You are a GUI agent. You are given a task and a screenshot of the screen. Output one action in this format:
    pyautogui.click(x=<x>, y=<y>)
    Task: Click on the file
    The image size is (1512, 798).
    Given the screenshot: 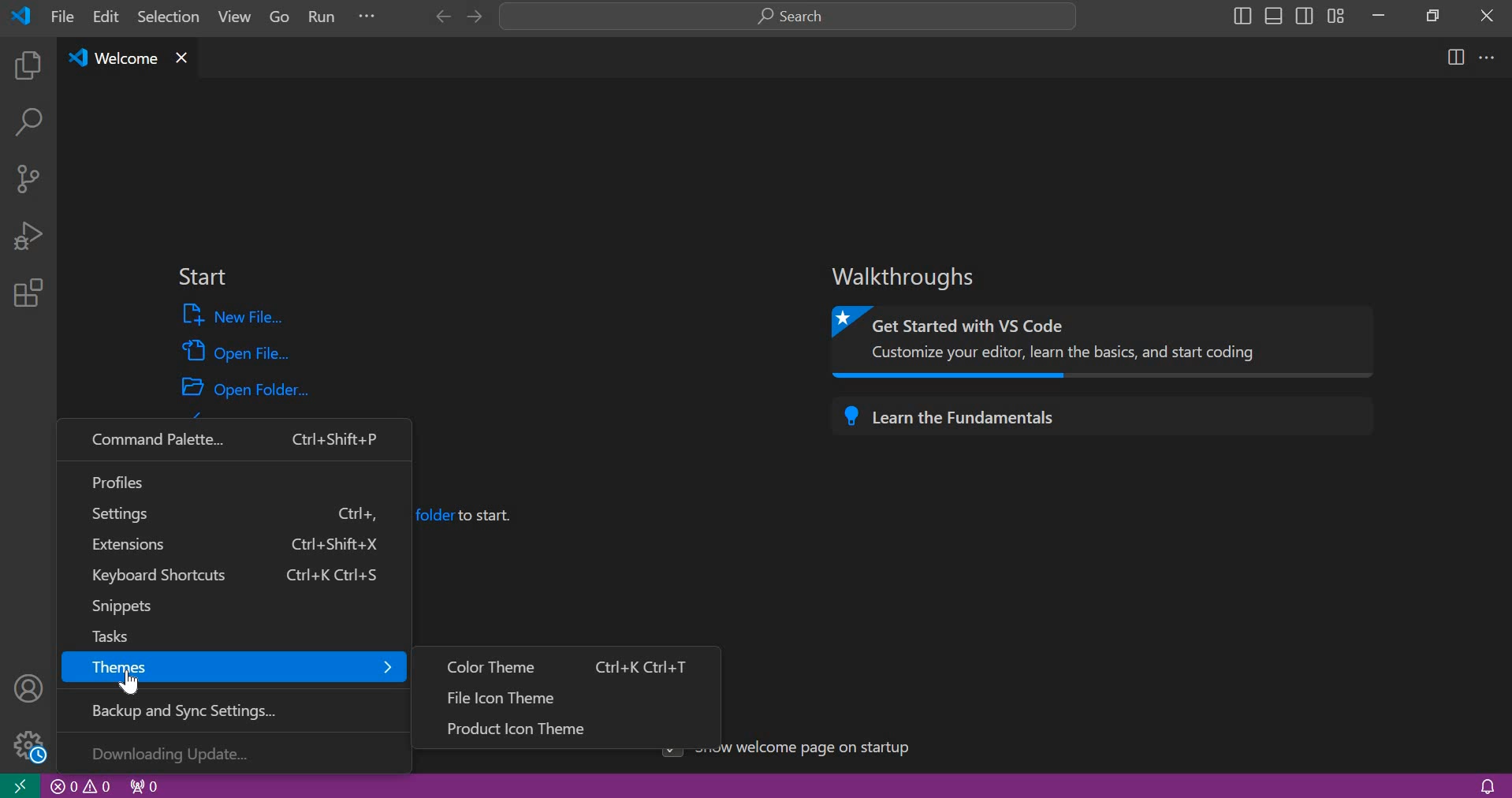 What is the action you would take?
    pyautogui.click(x=62, y=16)
    